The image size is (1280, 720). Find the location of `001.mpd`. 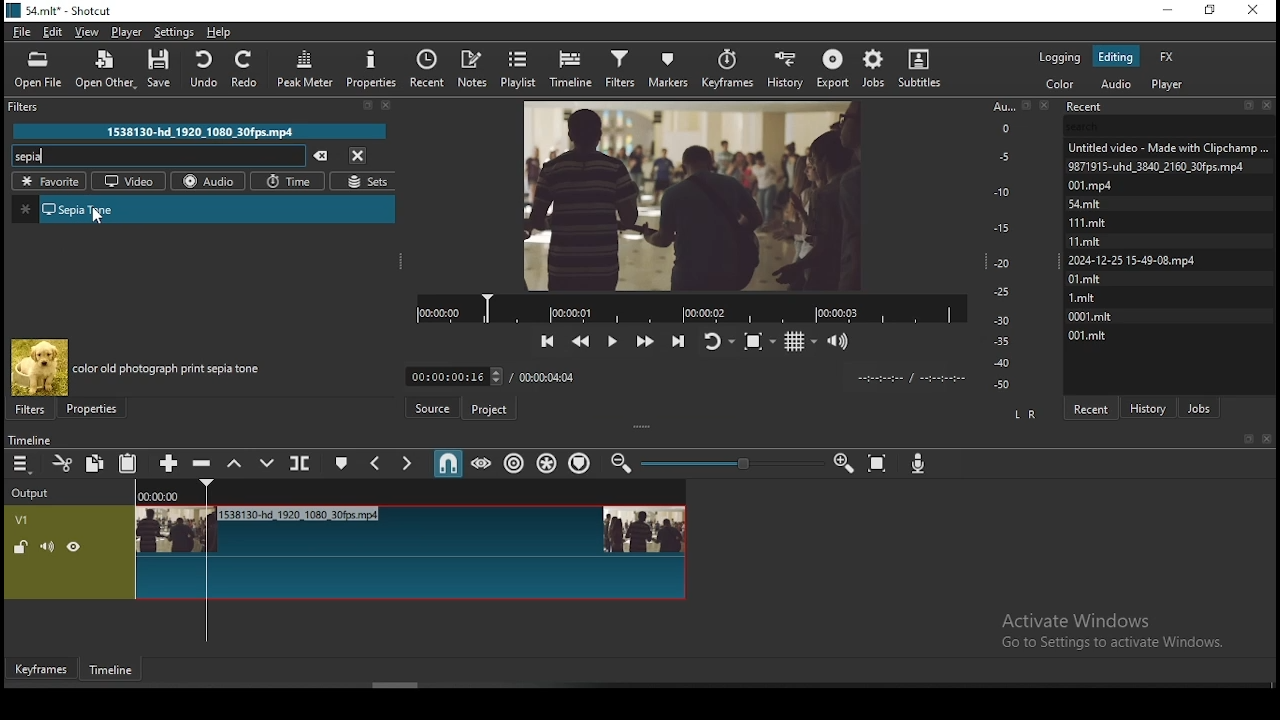

001.mpd is located at coordinates (1092, 185).